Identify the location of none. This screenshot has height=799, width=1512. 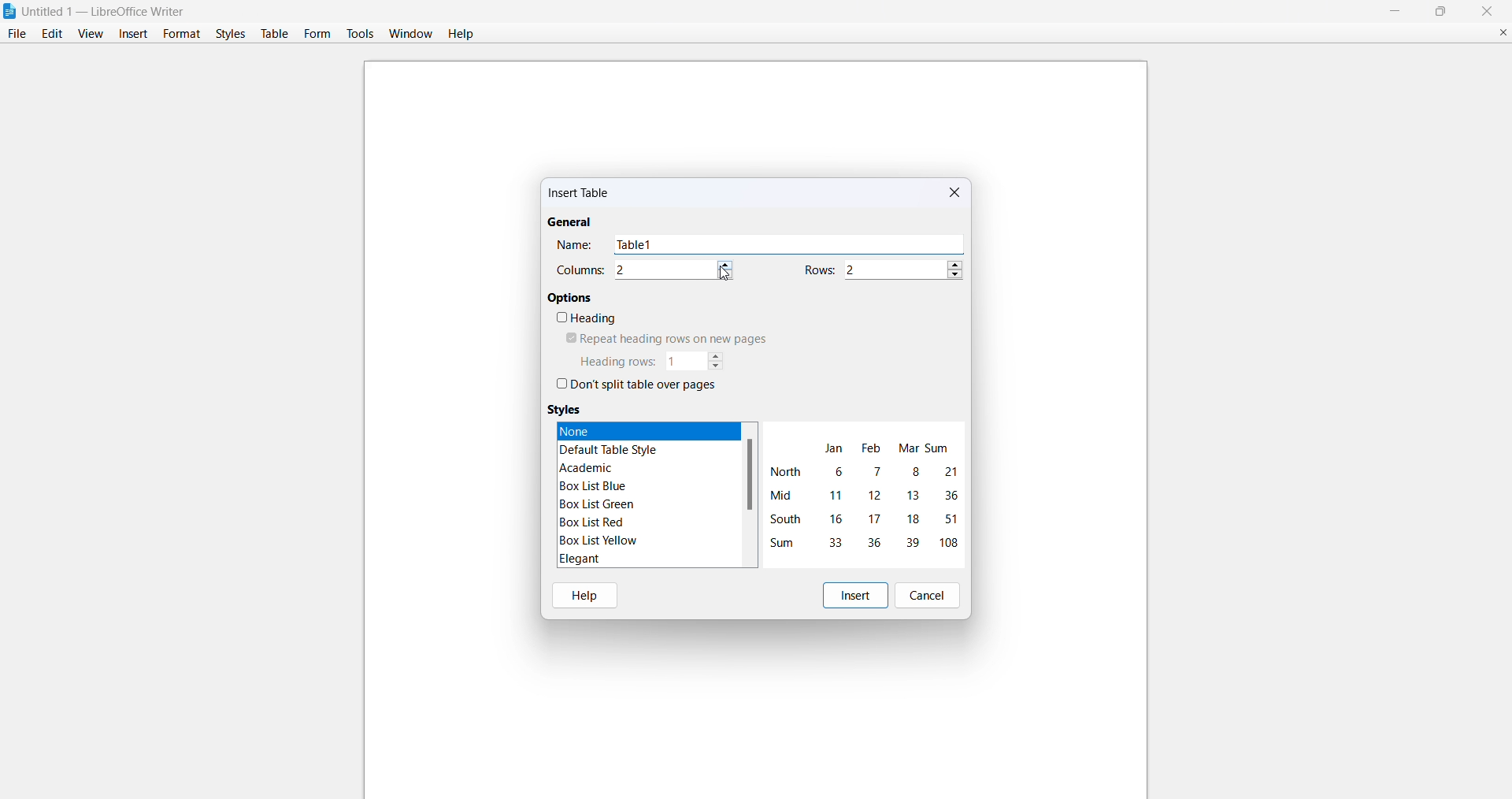
(628, 430).